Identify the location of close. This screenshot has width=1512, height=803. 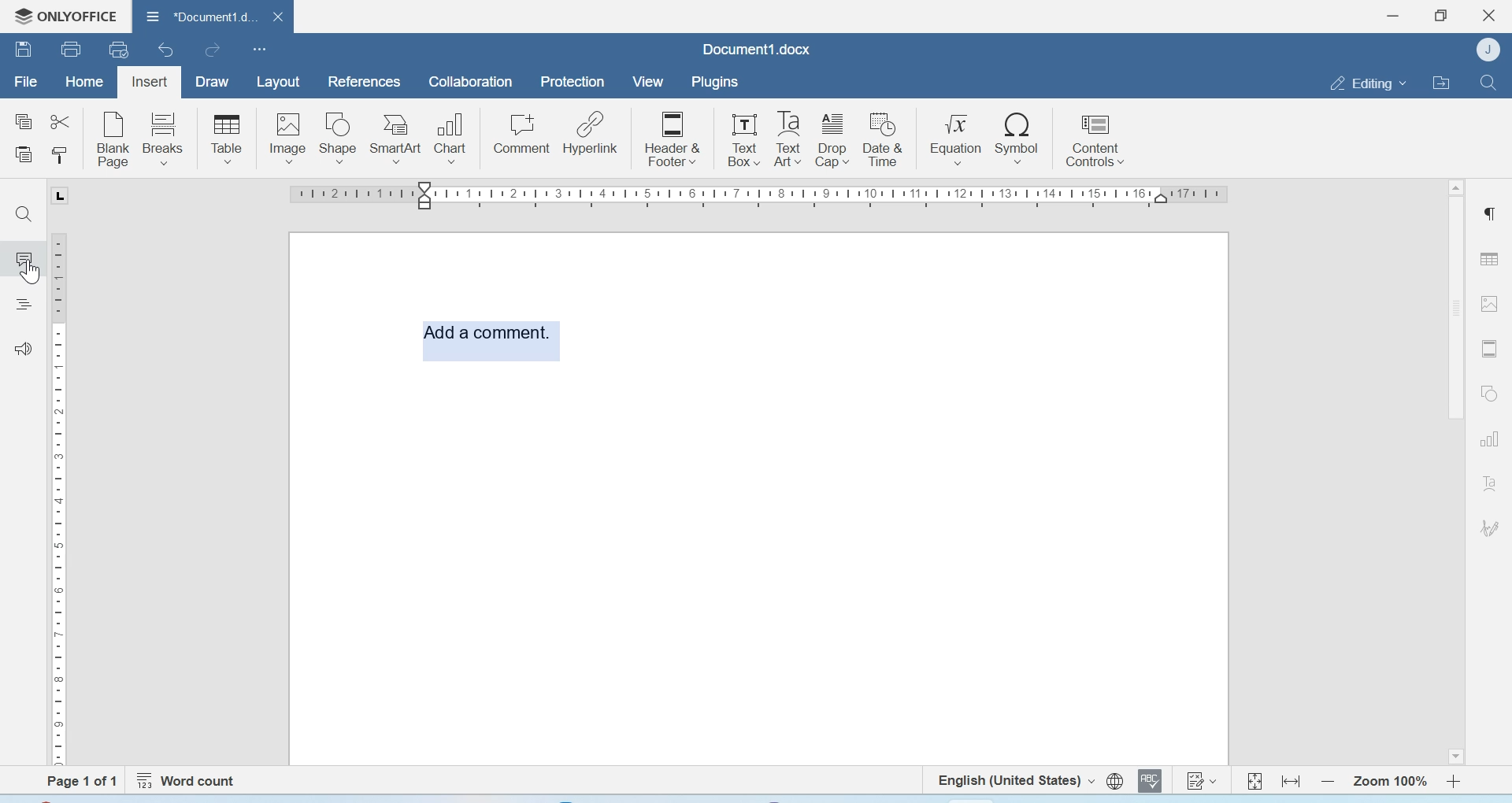
(283, 16).